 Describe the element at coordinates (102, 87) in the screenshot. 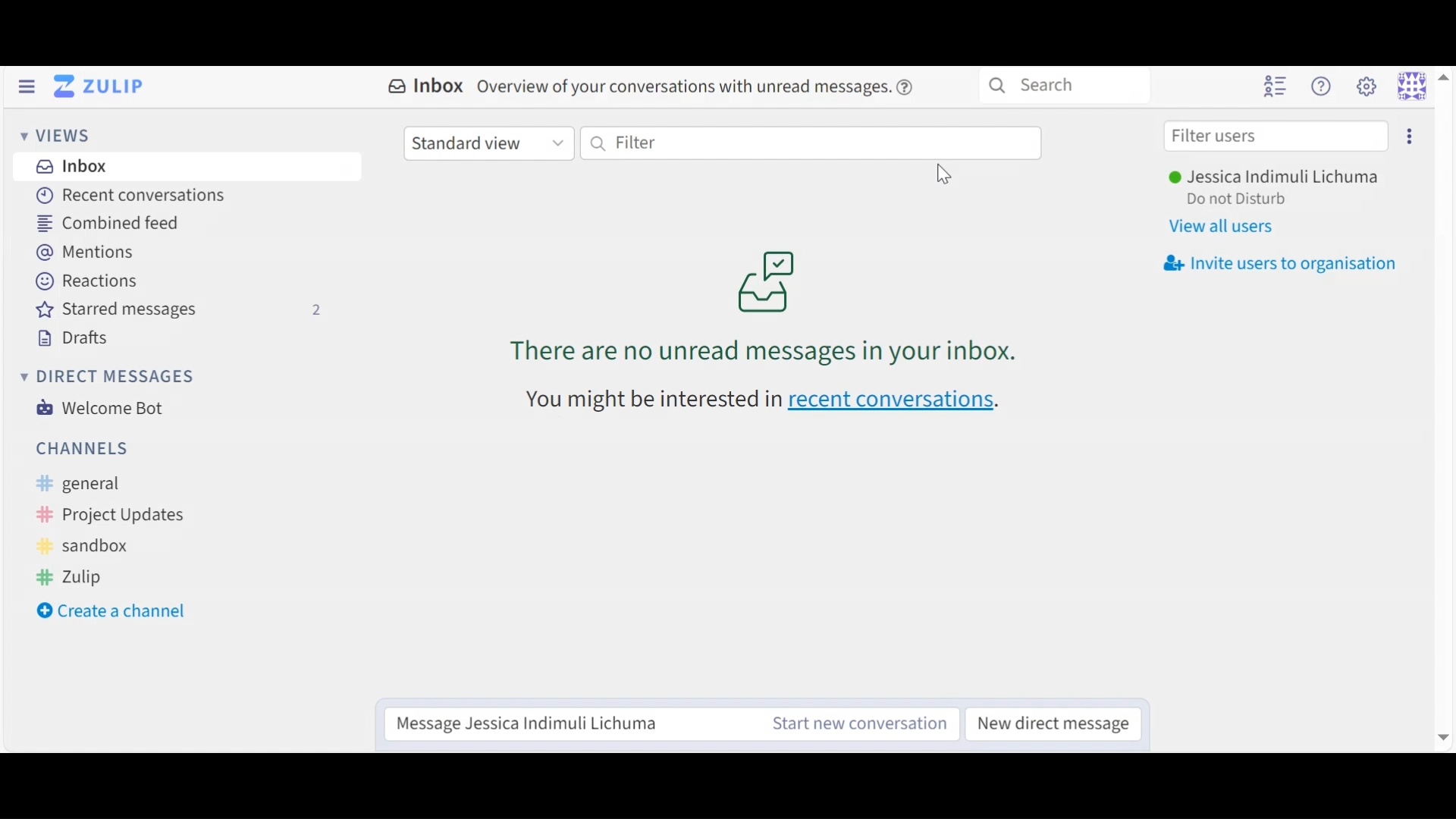

I see `Go to Home View (inbox)` at that location.